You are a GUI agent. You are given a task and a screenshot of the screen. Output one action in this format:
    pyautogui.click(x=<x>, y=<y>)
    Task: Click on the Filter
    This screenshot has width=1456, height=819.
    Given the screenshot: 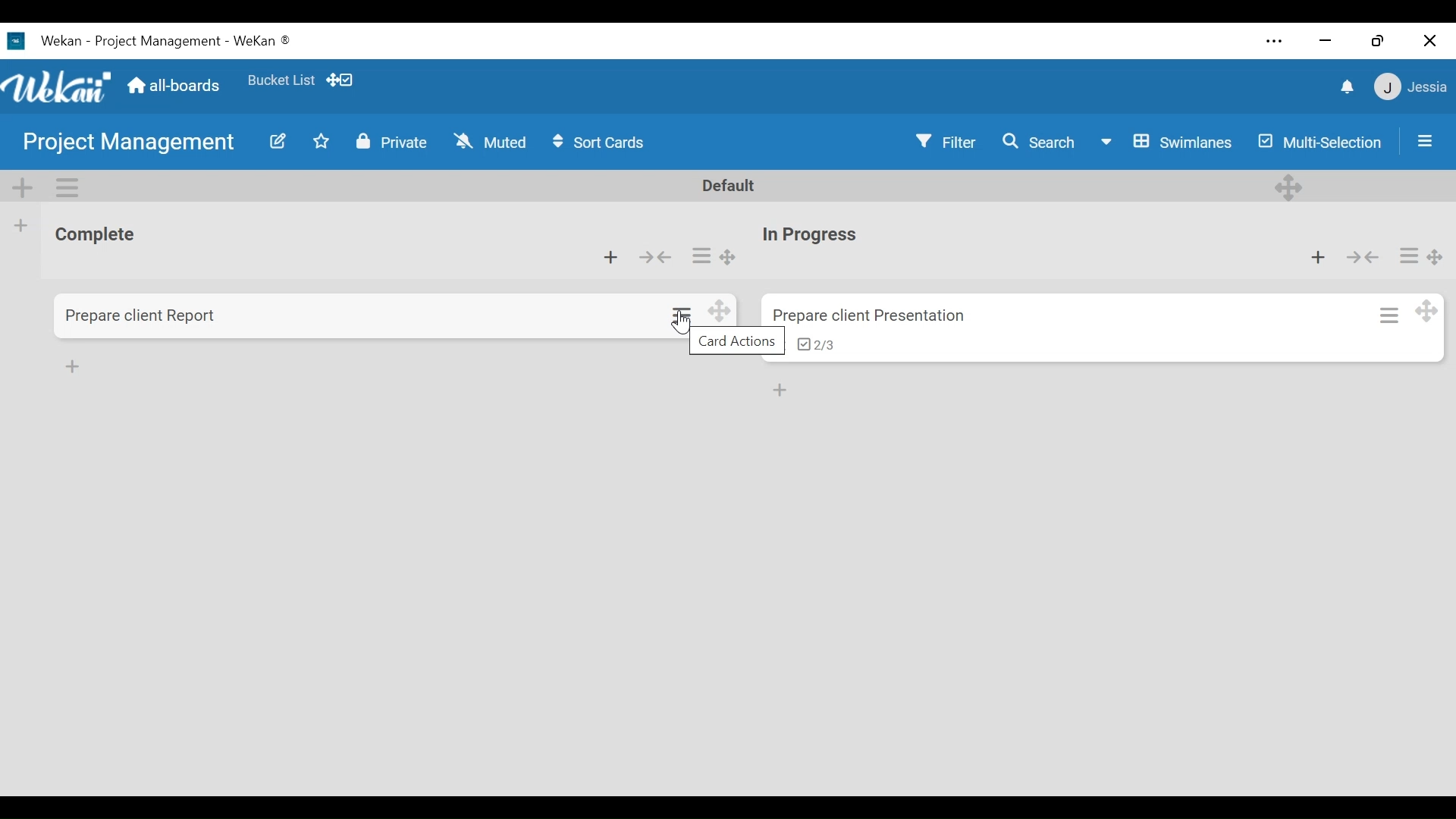 What is the action you would take?
    pyautogui.click(x=948, y=140)
    